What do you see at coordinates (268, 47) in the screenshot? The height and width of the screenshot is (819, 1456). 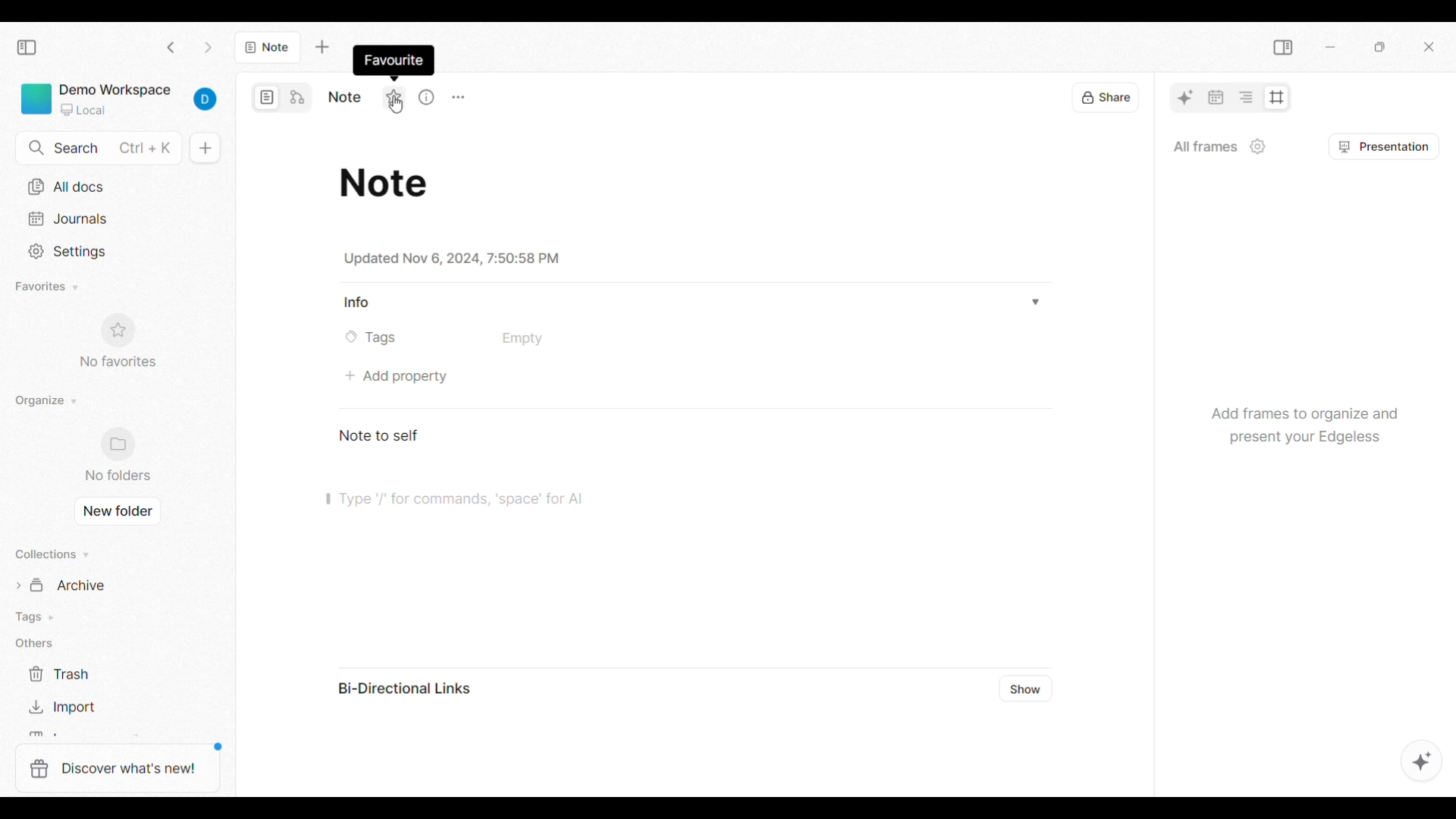 I see `Current tab` at bounding box center [268, 47].